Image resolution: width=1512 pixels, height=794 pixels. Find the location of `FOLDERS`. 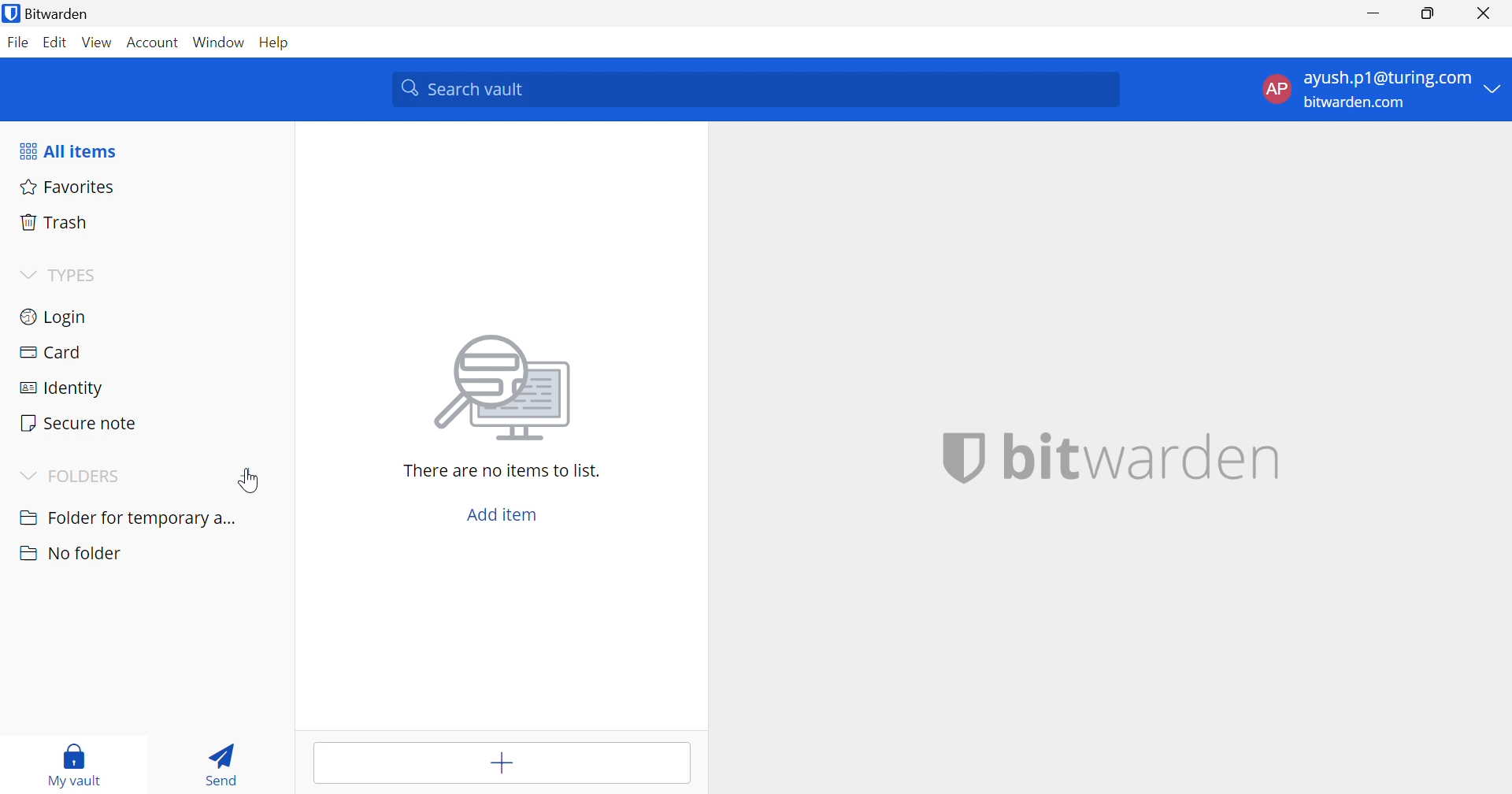

FOLDERS is located at coordinates (87, 477).